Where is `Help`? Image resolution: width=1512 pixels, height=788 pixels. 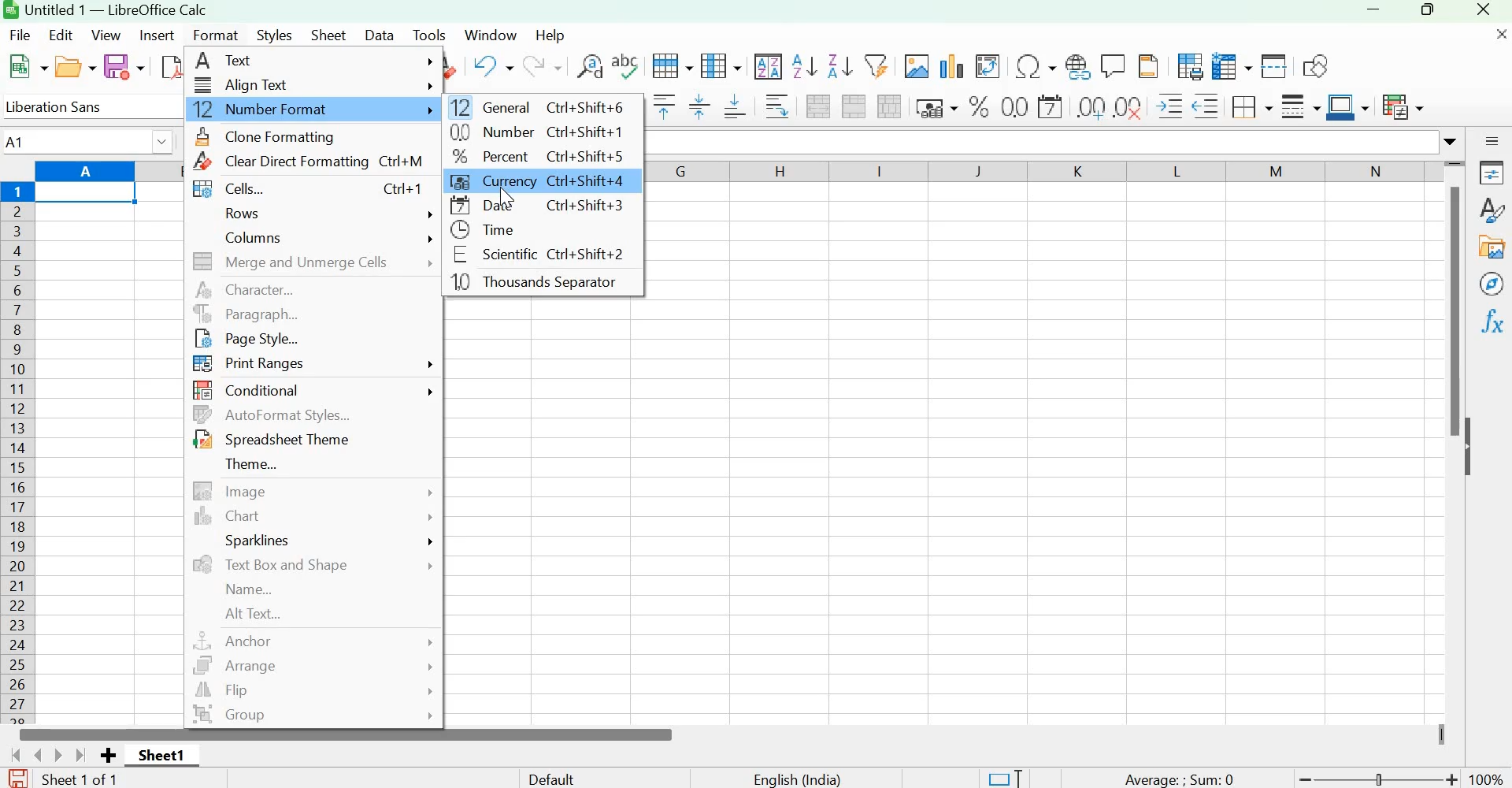
Help is located at coordinates (551, 35).